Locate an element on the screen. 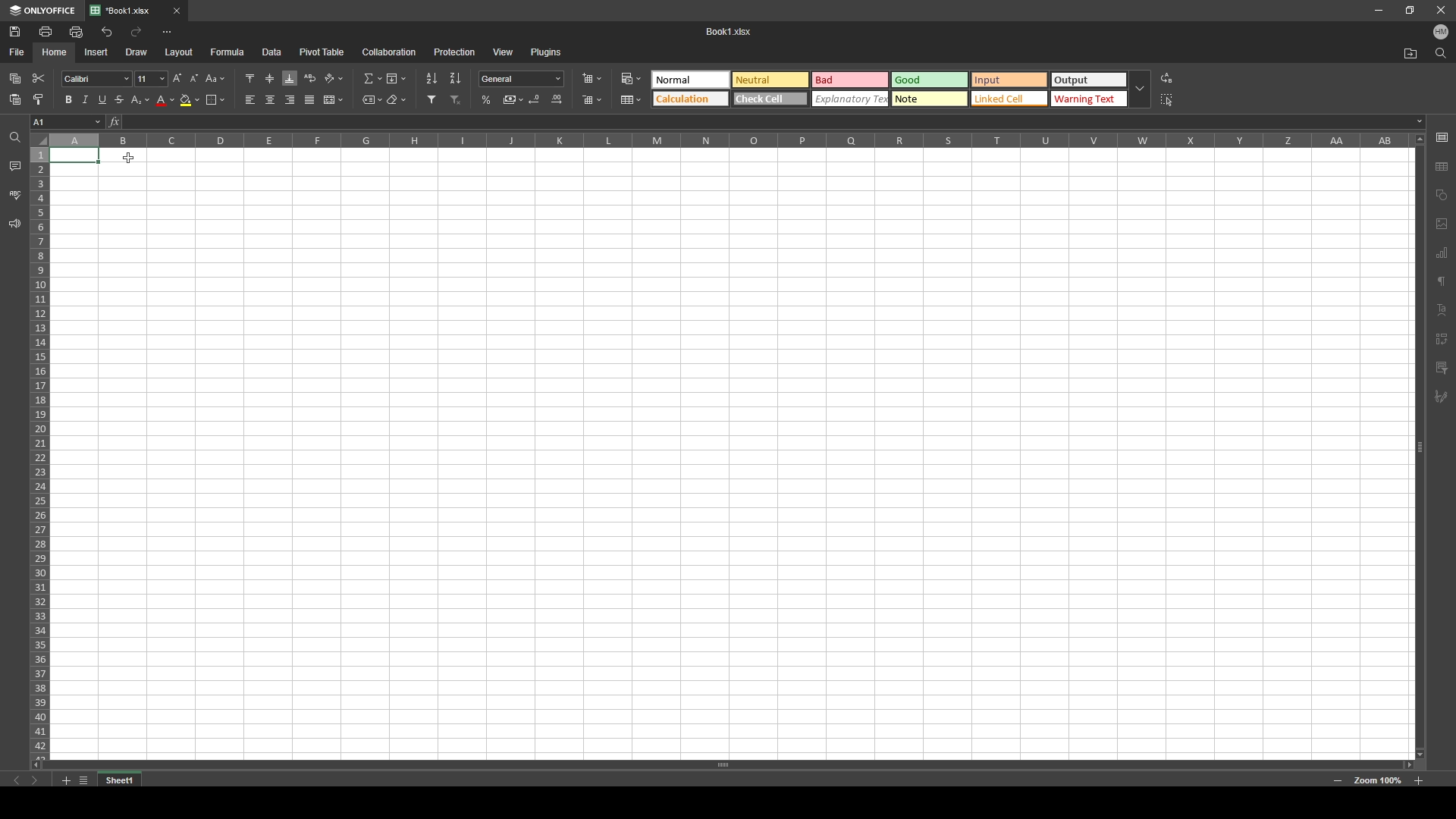  align middle is located at coordinates (270, 77).